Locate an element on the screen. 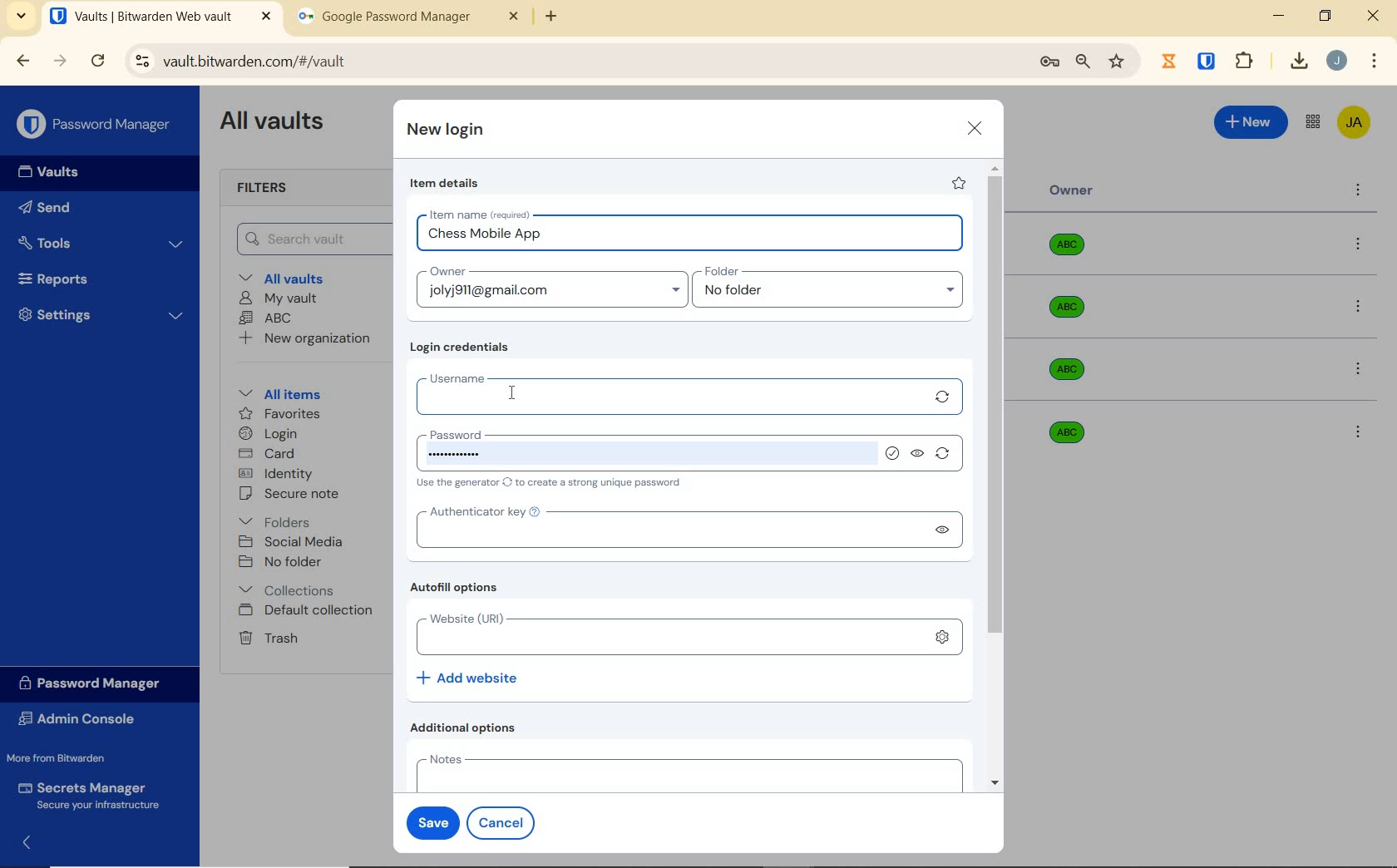 The width and height of the screenshot is (1397, 868). customize Google chrome is located at coordinates (1375, 62).